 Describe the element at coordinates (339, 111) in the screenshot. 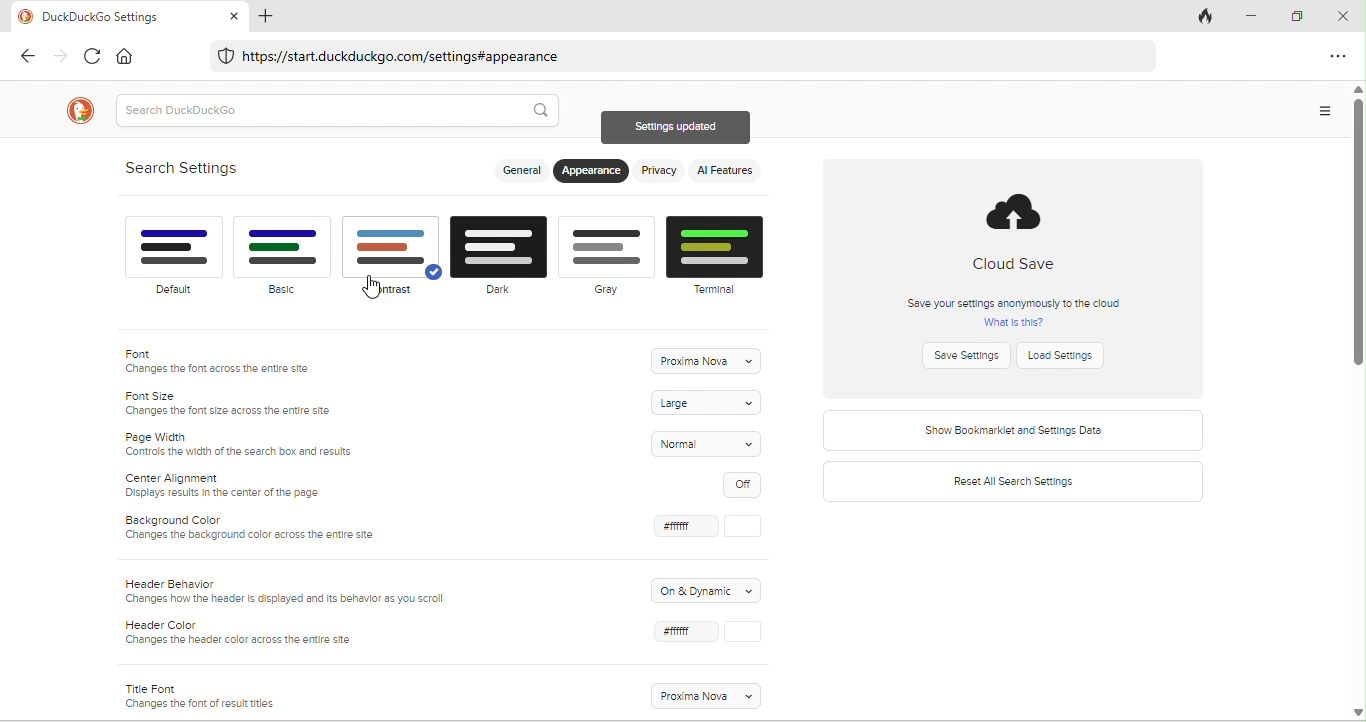

I see `search bar` at that location.